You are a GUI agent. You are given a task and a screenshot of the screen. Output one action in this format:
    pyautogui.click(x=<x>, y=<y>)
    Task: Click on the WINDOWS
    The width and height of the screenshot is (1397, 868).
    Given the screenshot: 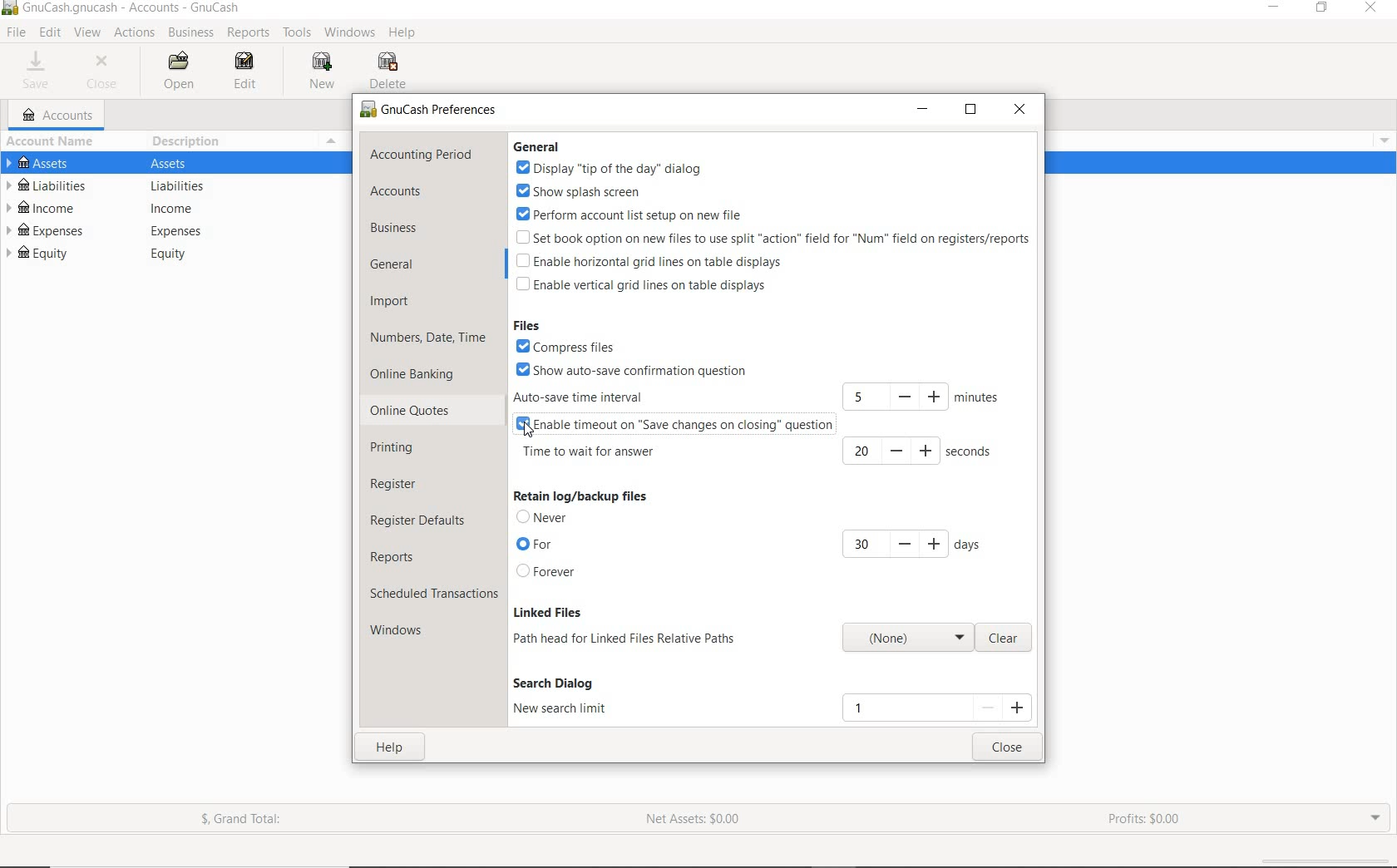 What is the action you would take?
    pyautogui.click(x=398, y=630)
    